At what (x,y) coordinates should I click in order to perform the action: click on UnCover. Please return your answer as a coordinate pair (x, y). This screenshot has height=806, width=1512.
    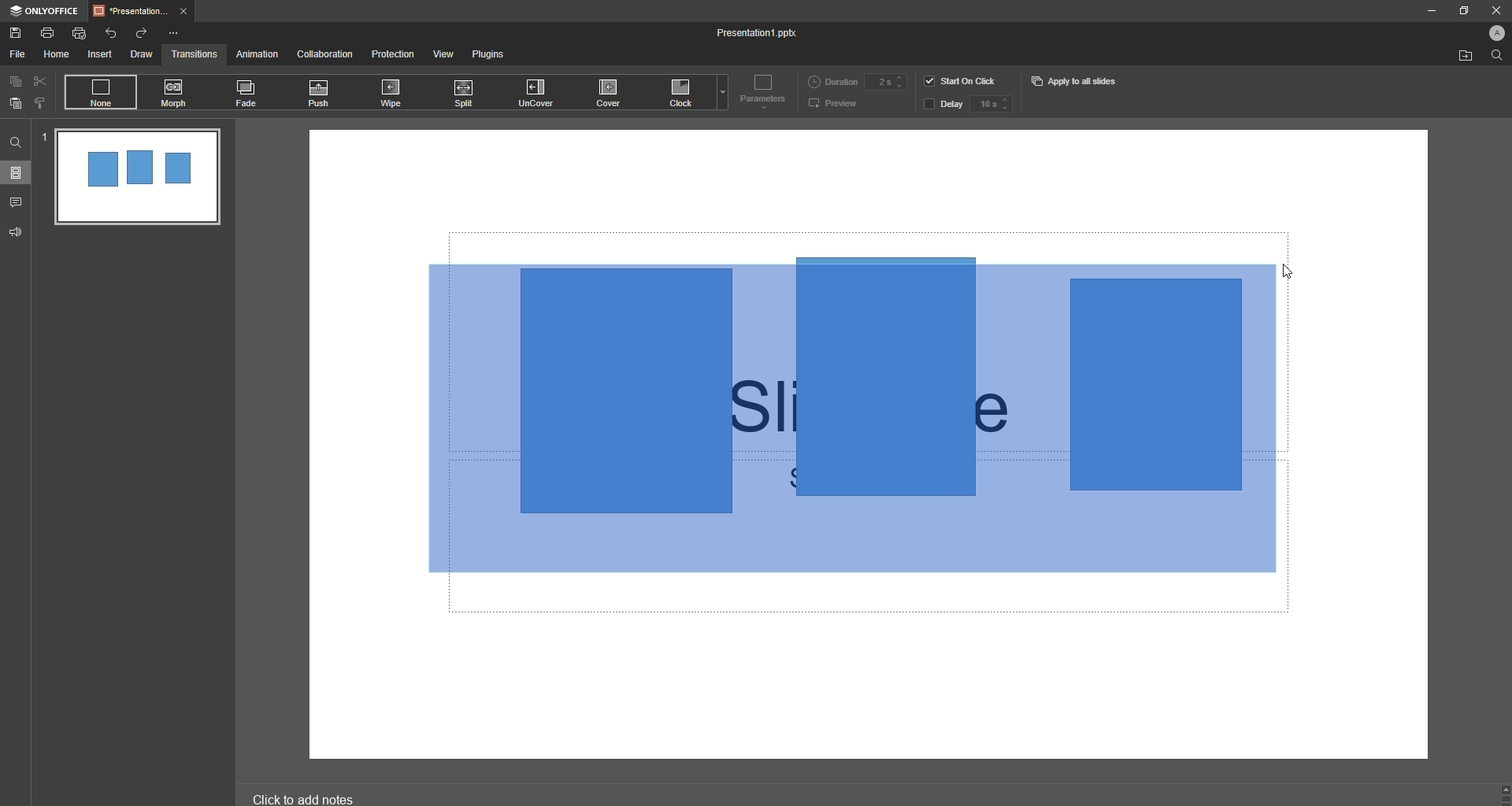
    Looking at the image, I should click on (541, 94).